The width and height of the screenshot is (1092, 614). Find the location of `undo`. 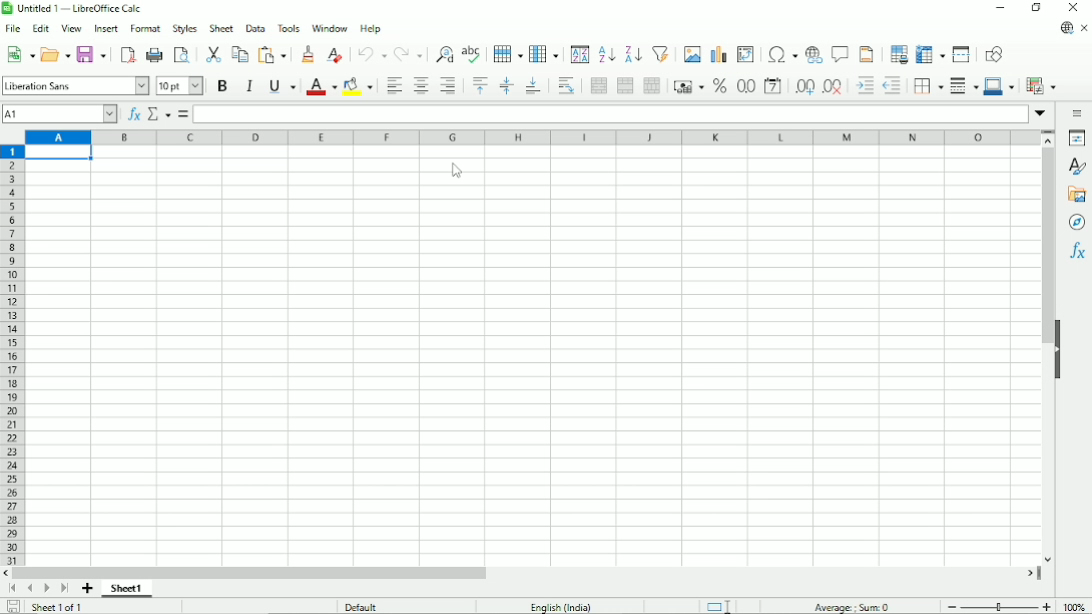

undo is located at coordinates (370, 54).